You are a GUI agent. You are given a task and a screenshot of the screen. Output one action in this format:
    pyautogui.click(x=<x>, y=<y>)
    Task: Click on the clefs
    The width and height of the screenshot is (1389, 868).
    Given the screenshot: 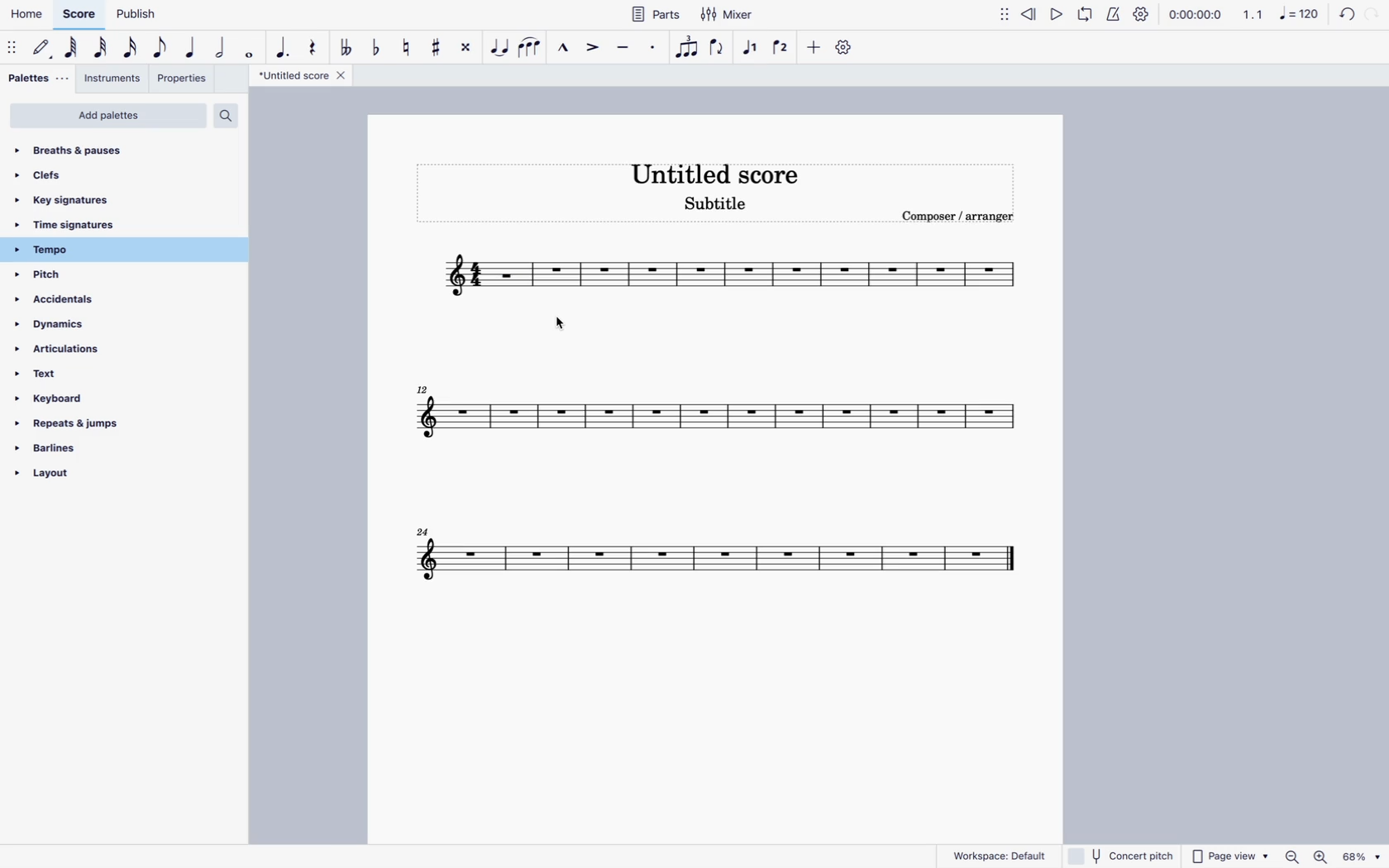 What is the action you would take?
    pyautogui.click(x=115, y=174)
    